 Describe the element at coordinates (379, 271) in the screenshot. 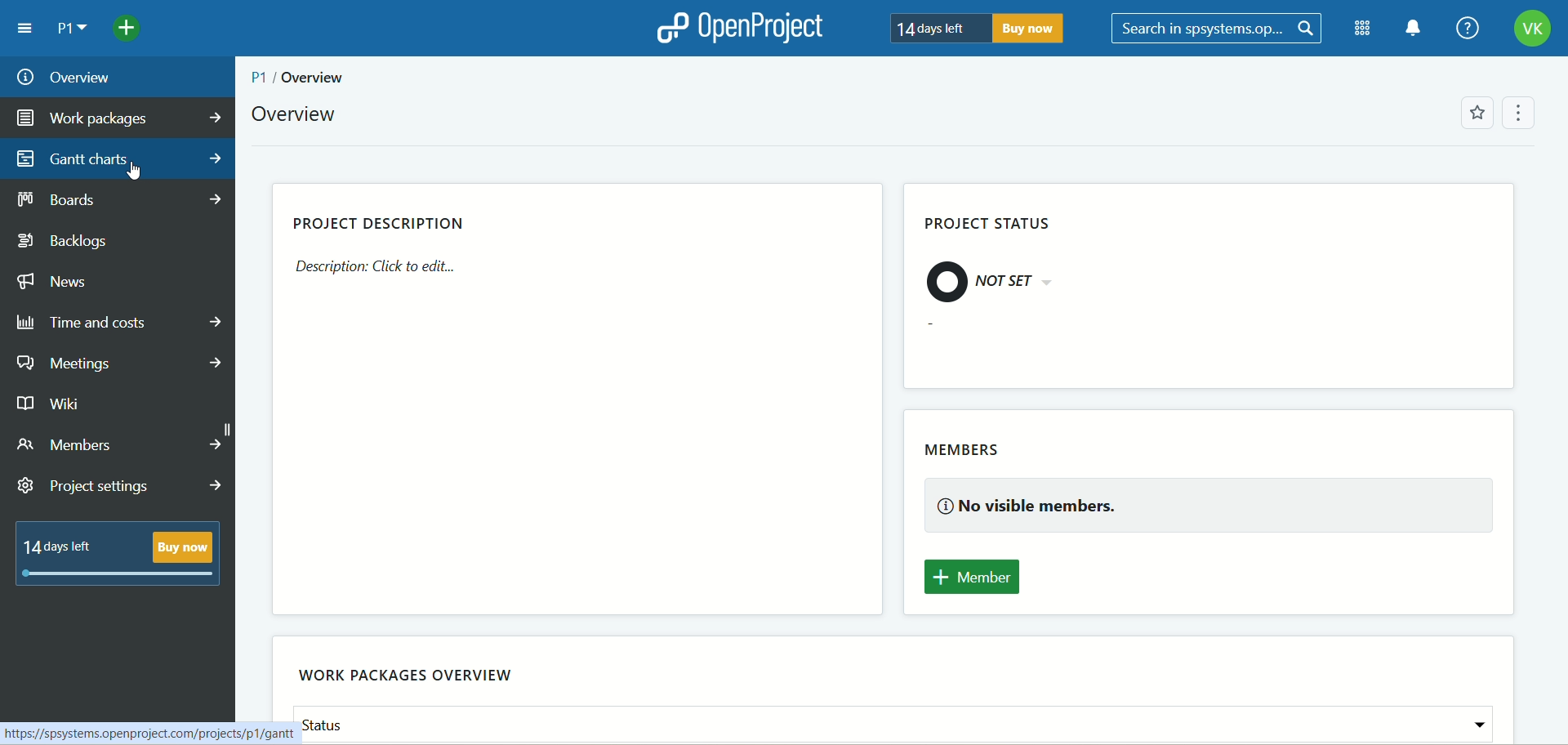

I see `text` at that location.